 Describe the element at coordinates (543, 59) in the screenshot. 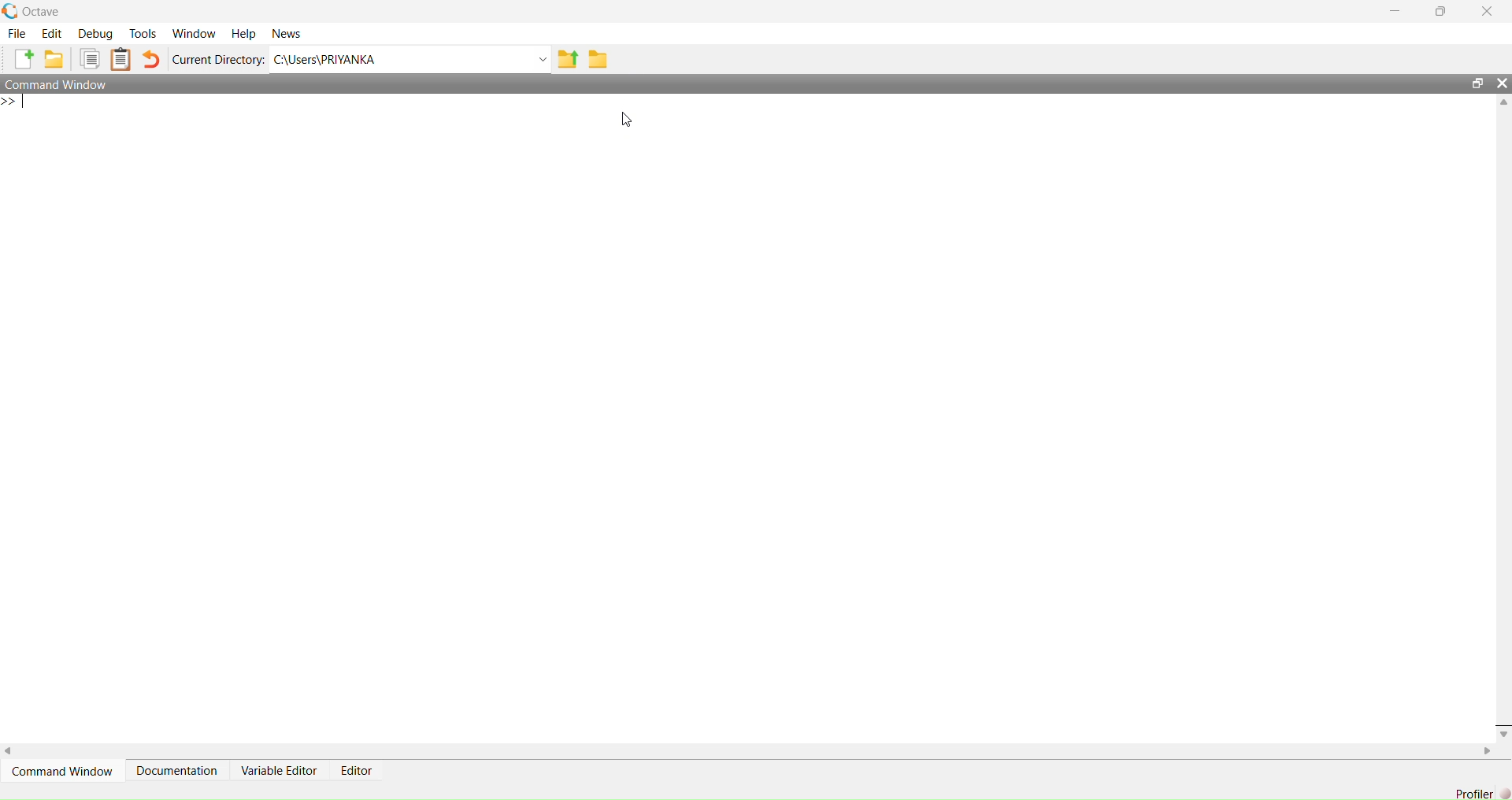

I see `Dropdown` at that location.